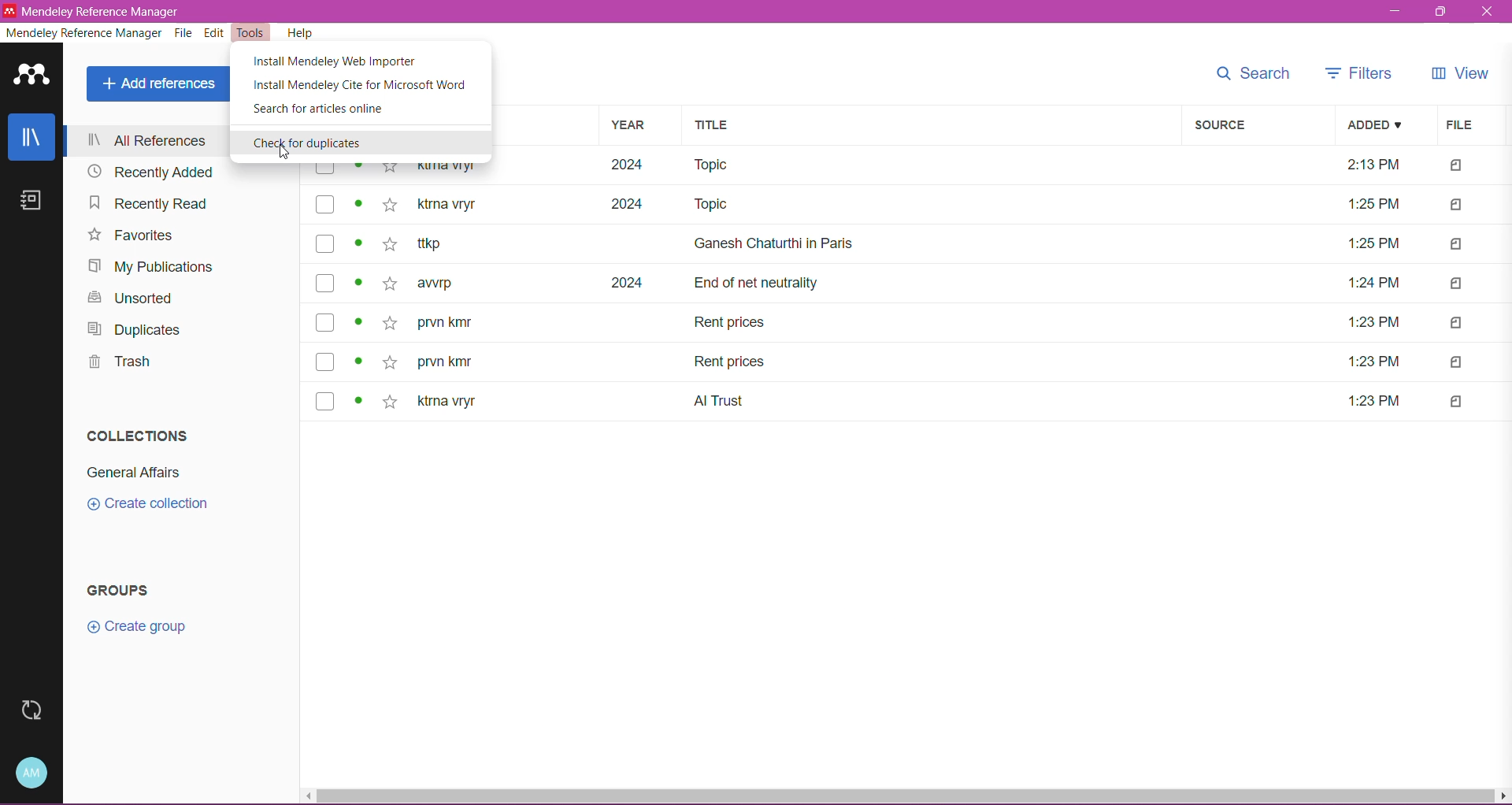 The width and height of the screenshot is (1512, 805). What do you see at coordinates (323, 323) in the screenshot?
I see `checkbox` at bounding box center [323, 323].